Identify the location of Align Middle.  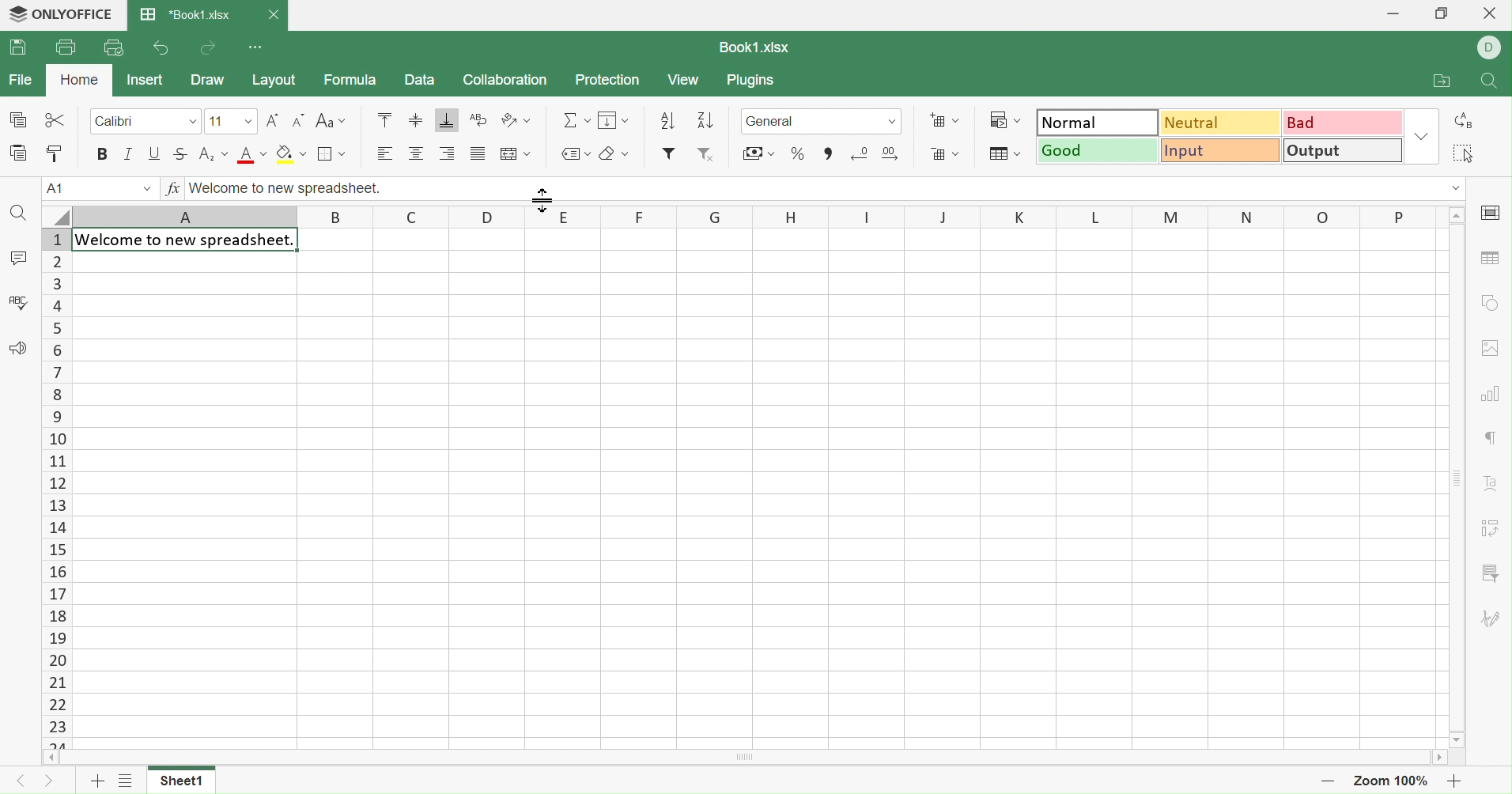
(415, 121).